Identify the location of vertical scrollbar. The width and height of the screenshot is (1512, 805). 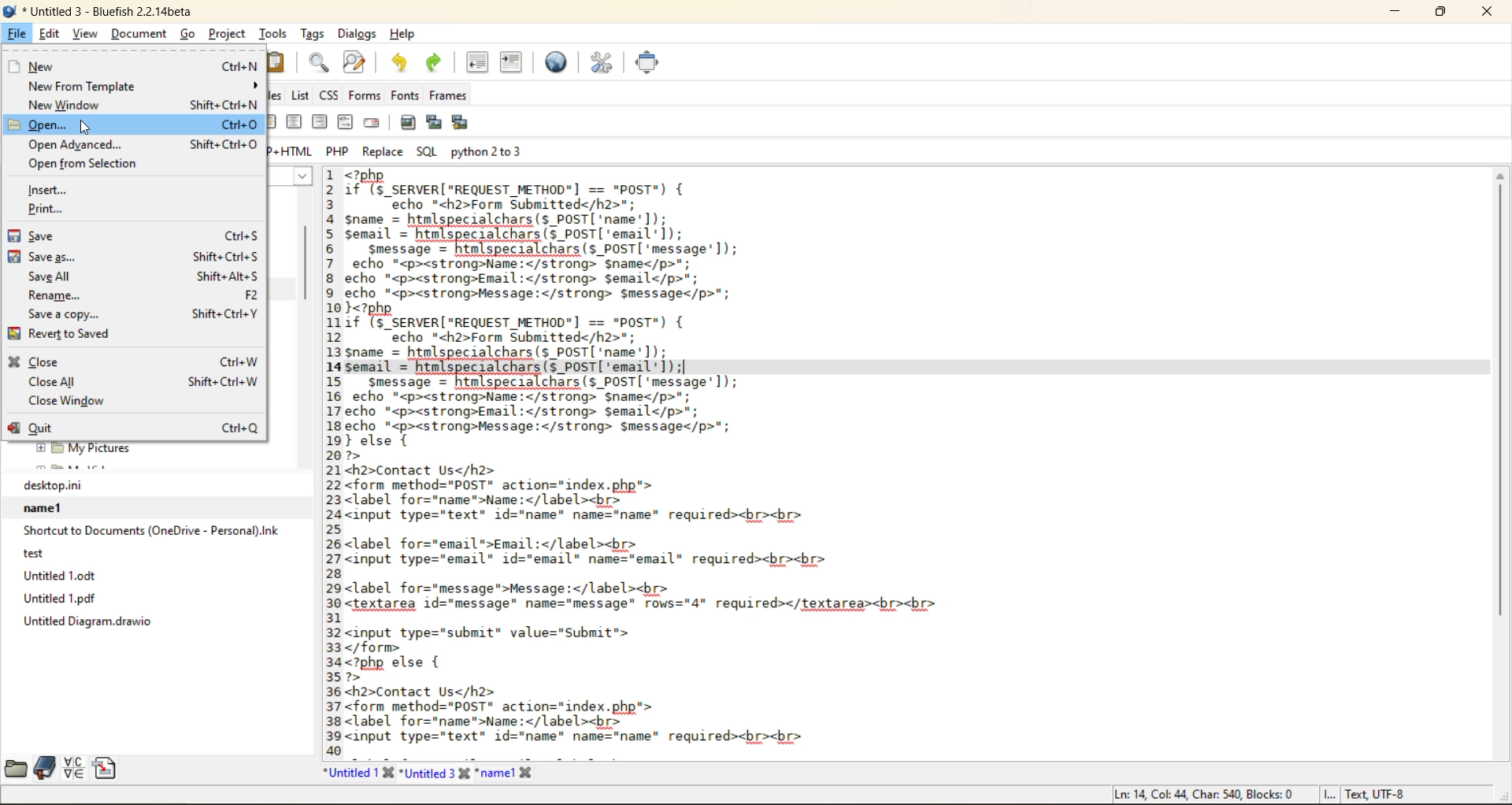
(1500, 463).